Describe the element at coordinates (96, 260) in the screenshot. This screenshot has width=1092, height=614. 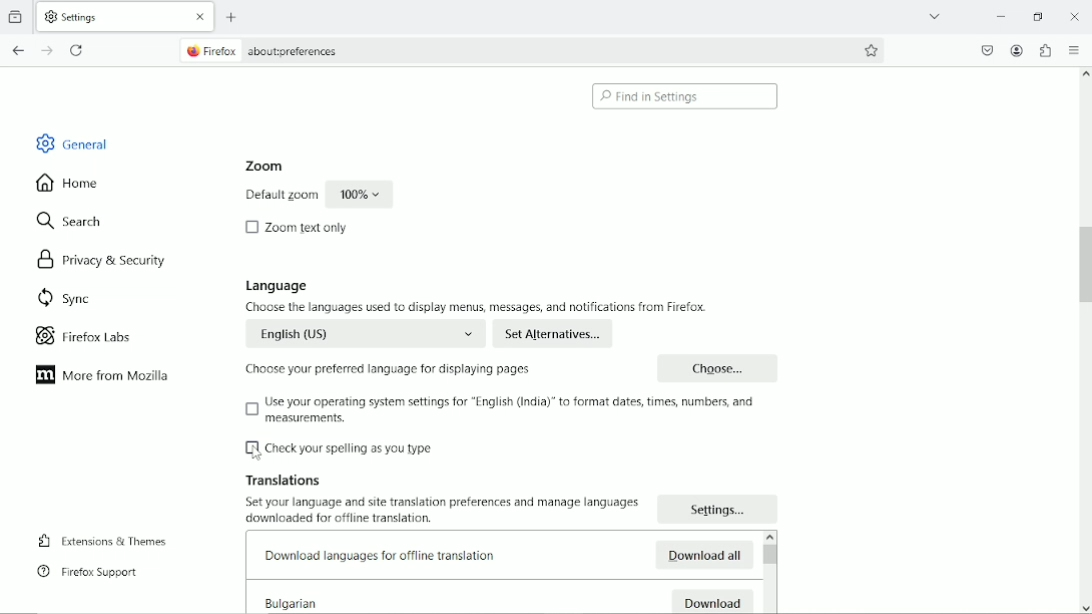
I see `Privacy & security` at that location.